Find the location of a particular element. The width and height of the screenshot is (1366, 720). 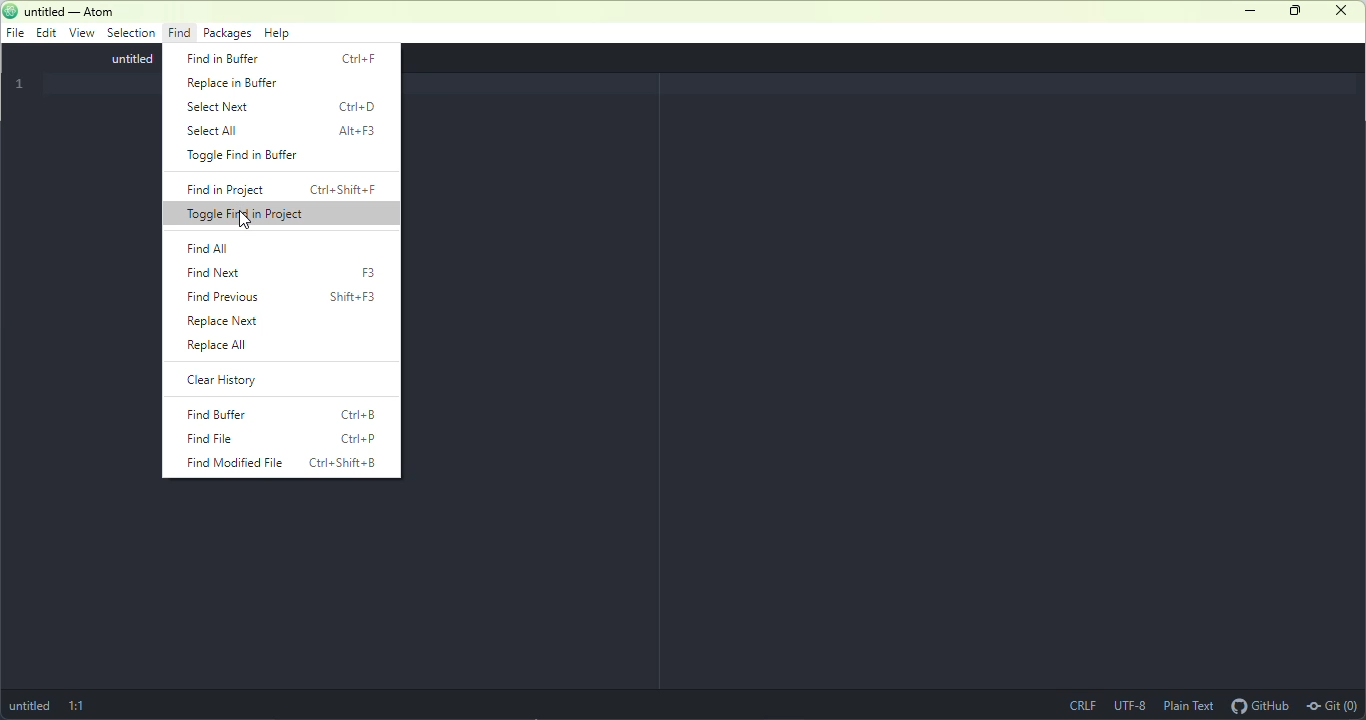

maximize is located at coordinates (1292, 10).